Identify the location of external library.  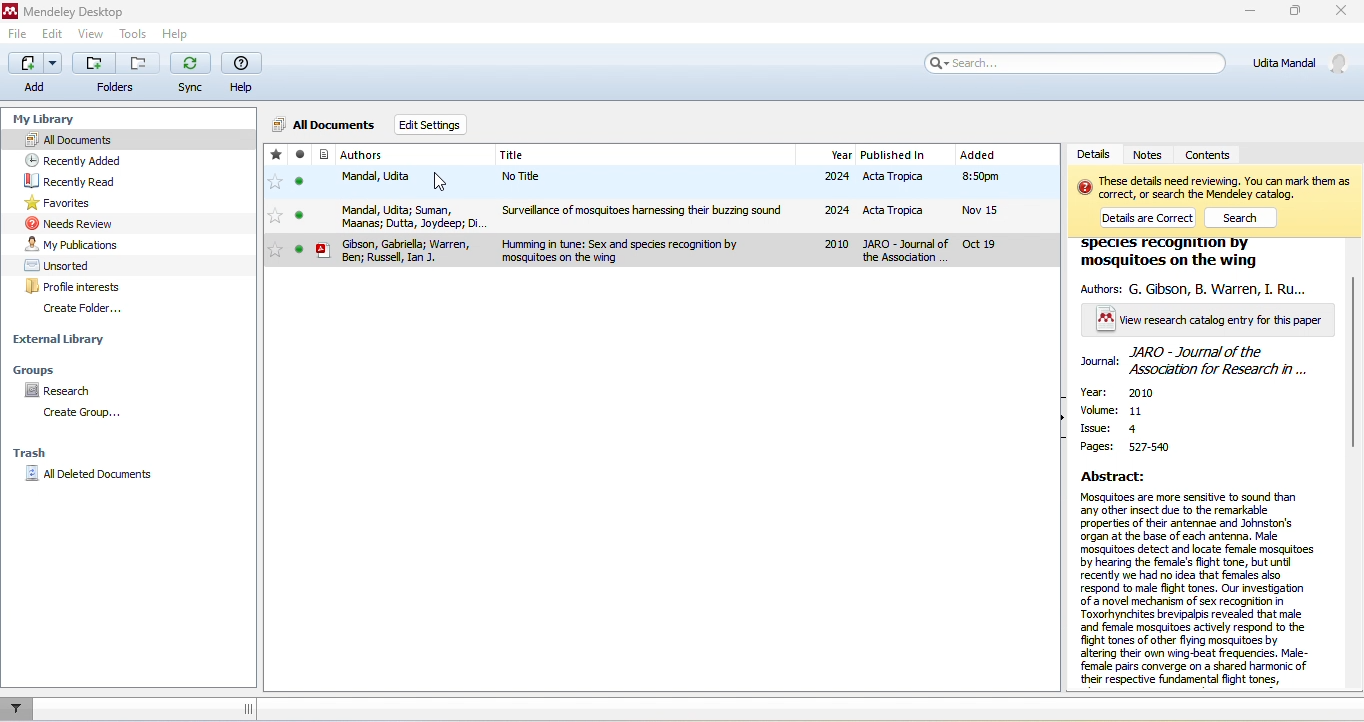
(62, 339).